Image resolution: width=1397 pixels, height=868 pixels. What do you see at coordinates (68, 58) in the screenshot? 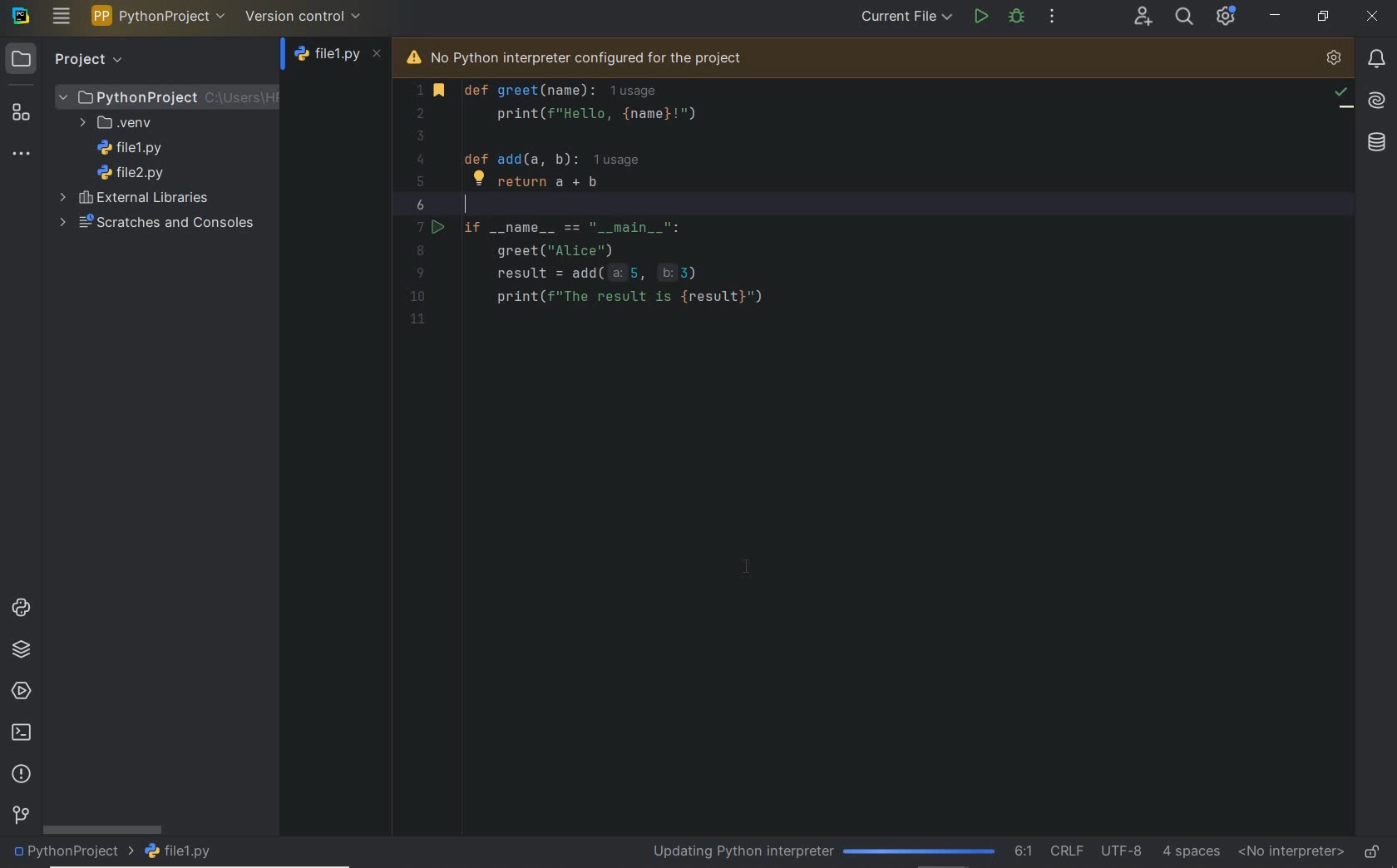
I see `Project` at bounding box center [68, 58].